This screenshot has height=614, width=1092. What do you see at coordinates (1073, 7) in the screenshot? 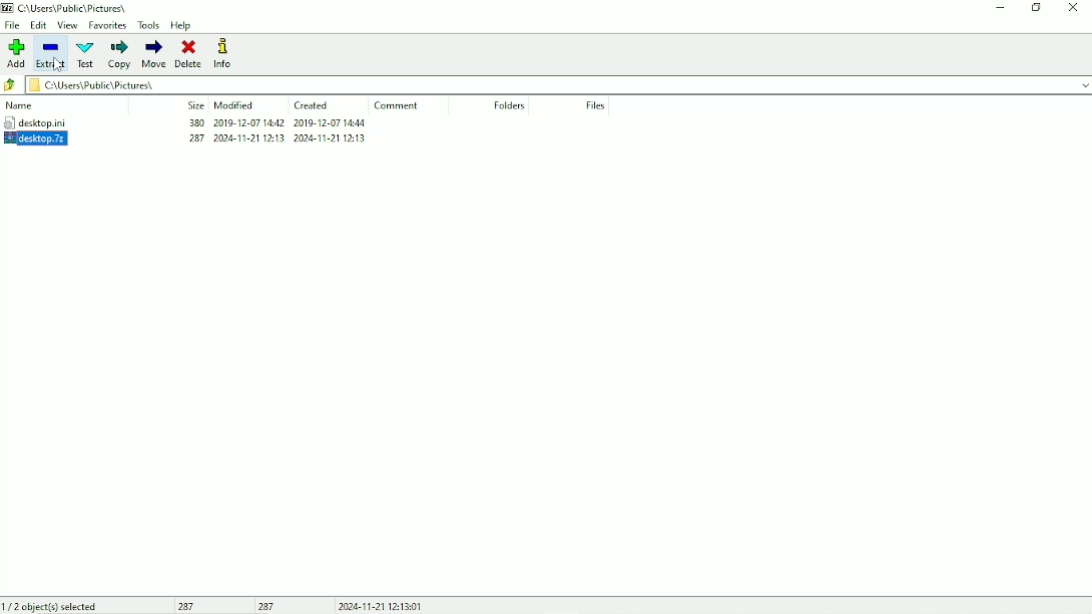
I see `Close` at bounding box center [1073, 7].